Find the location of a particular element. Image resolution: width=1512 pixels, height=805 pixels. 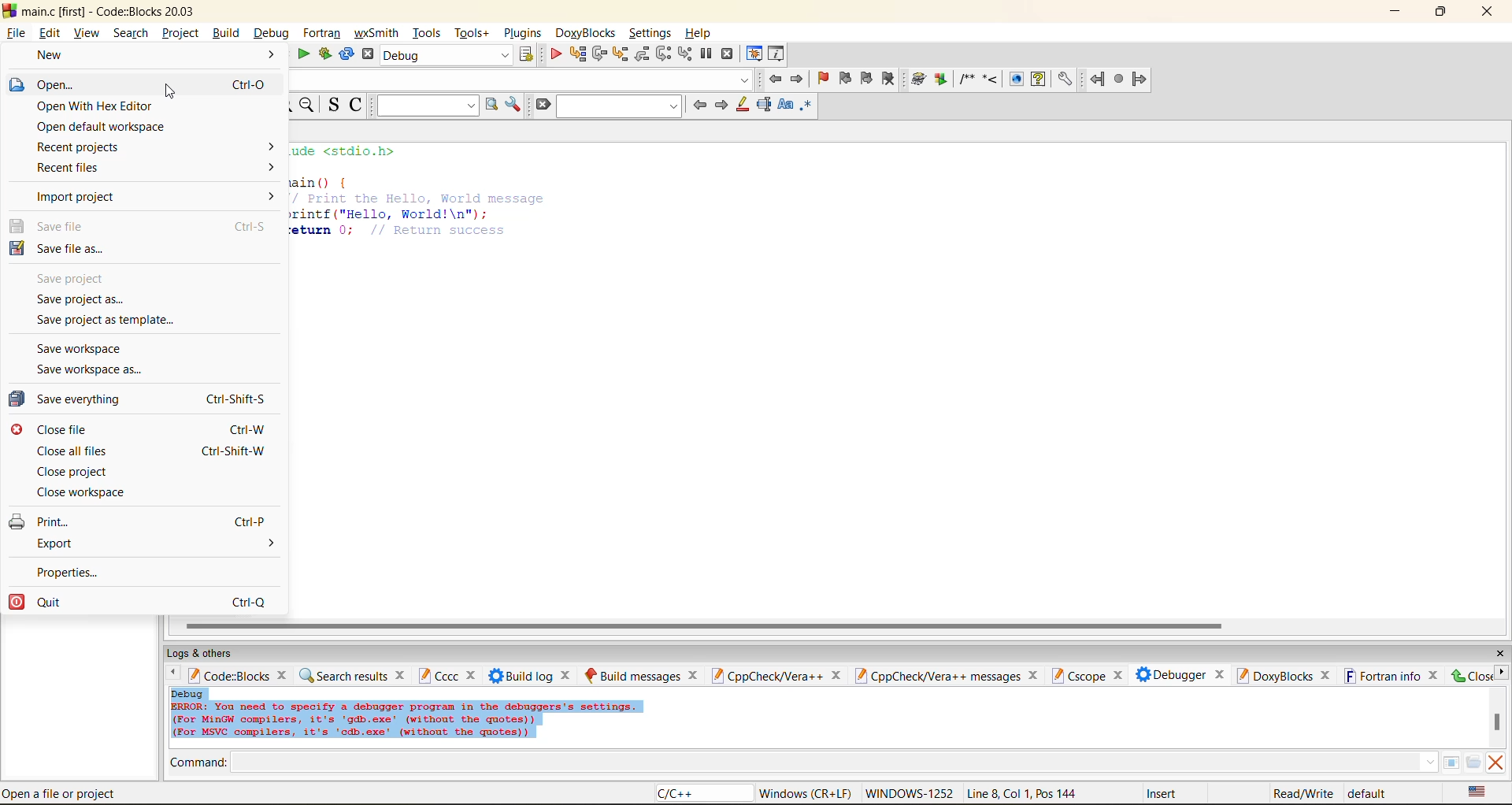

cursor is located at coordinates (169, 92).